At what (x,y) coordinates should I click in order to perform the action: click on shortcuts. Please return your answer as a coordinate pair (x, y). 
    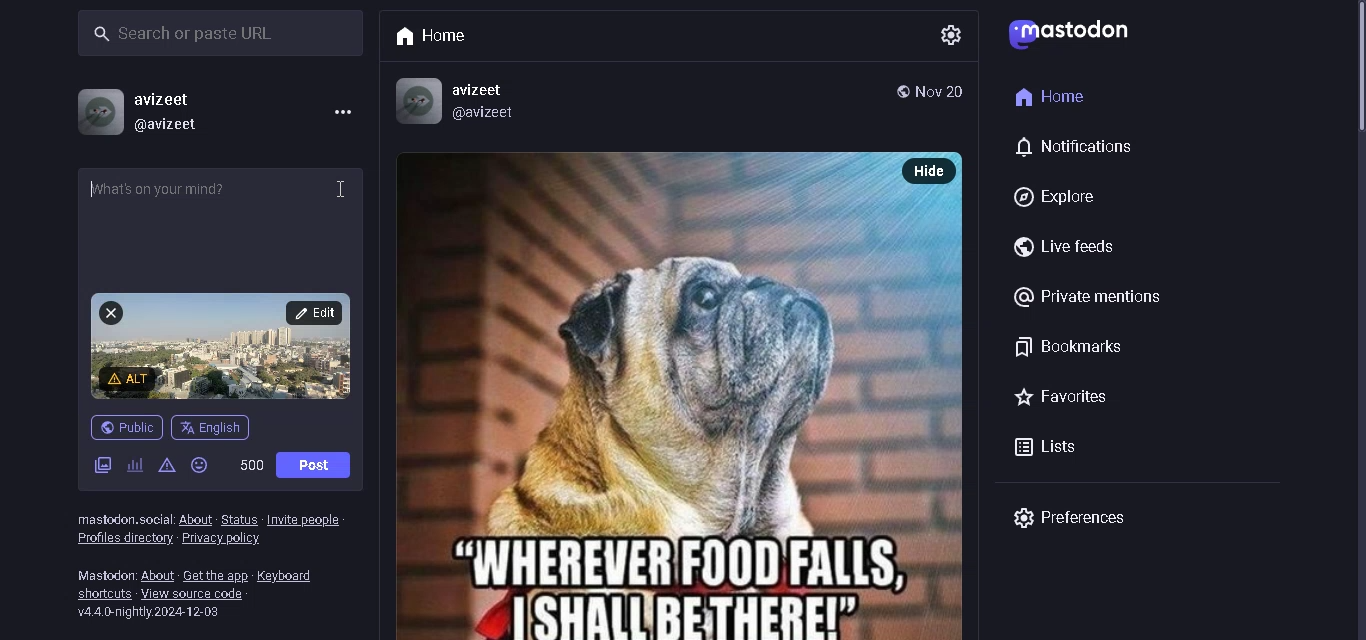
    Looking at the image, I should click on (103, 594).